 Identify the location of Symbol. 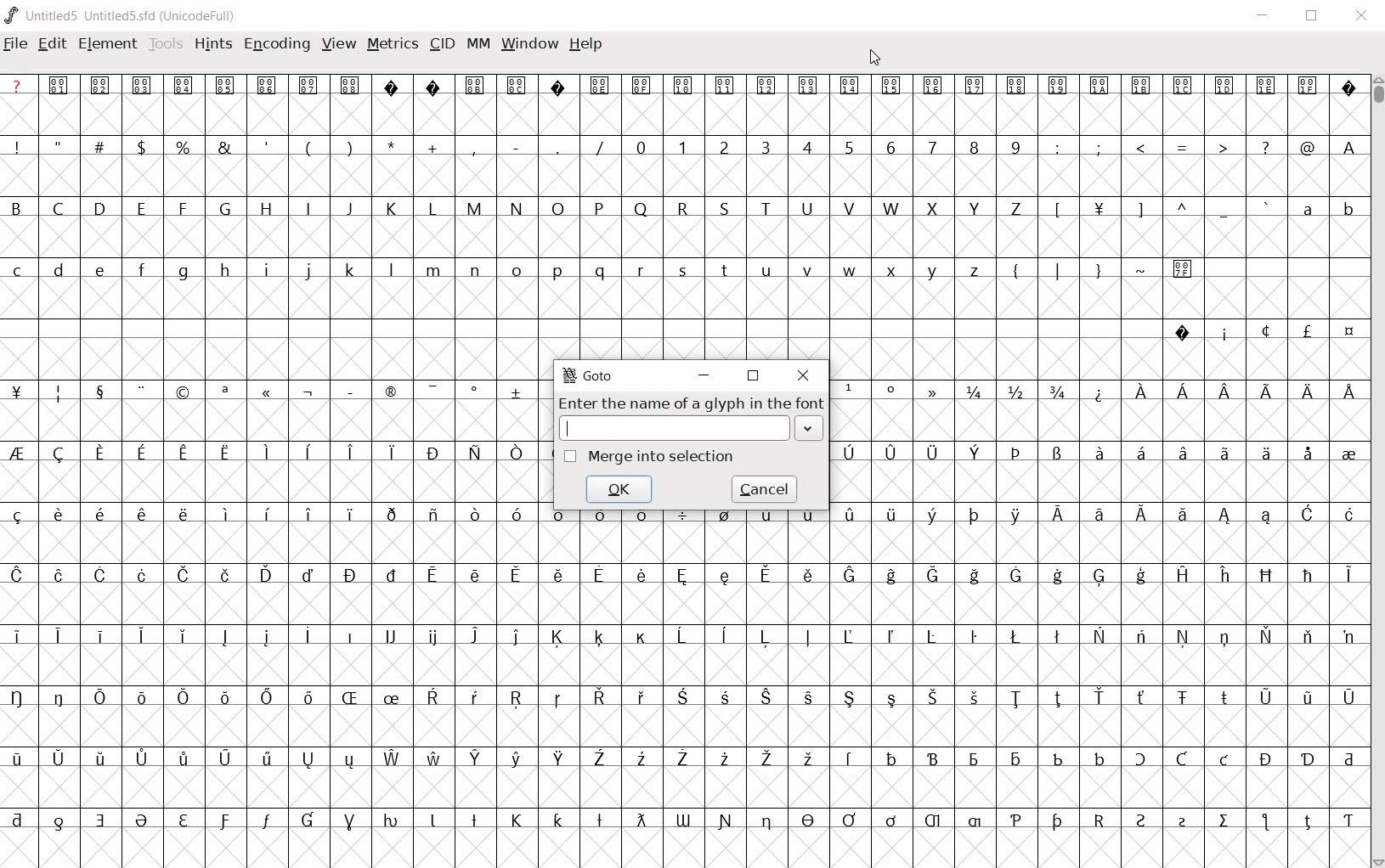
(1308, 392).